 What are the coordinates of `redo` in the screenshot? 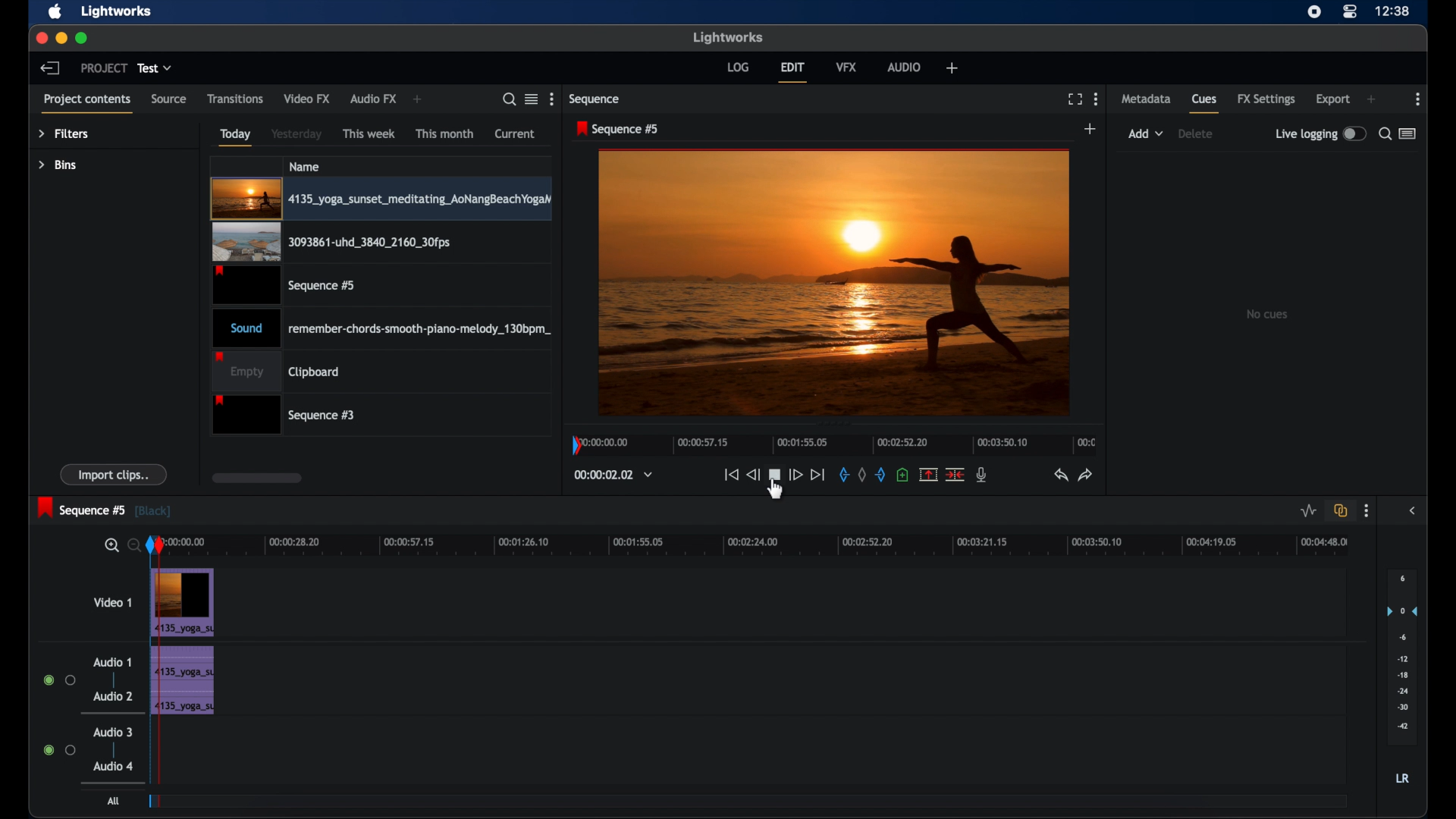 It's located at (1086, 475).